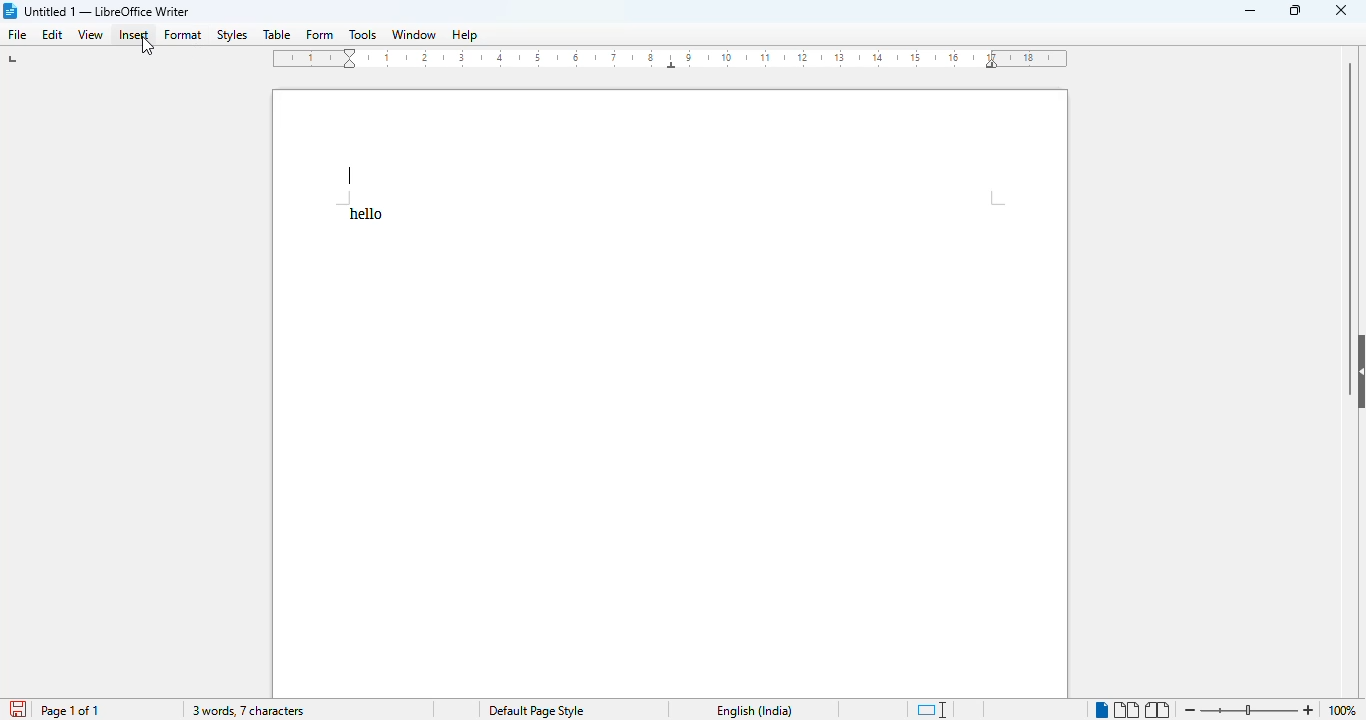 The height and width of the screenshot is (720, 1366). I want to click on zoom in or zoom out bar, so click(1248, 710).